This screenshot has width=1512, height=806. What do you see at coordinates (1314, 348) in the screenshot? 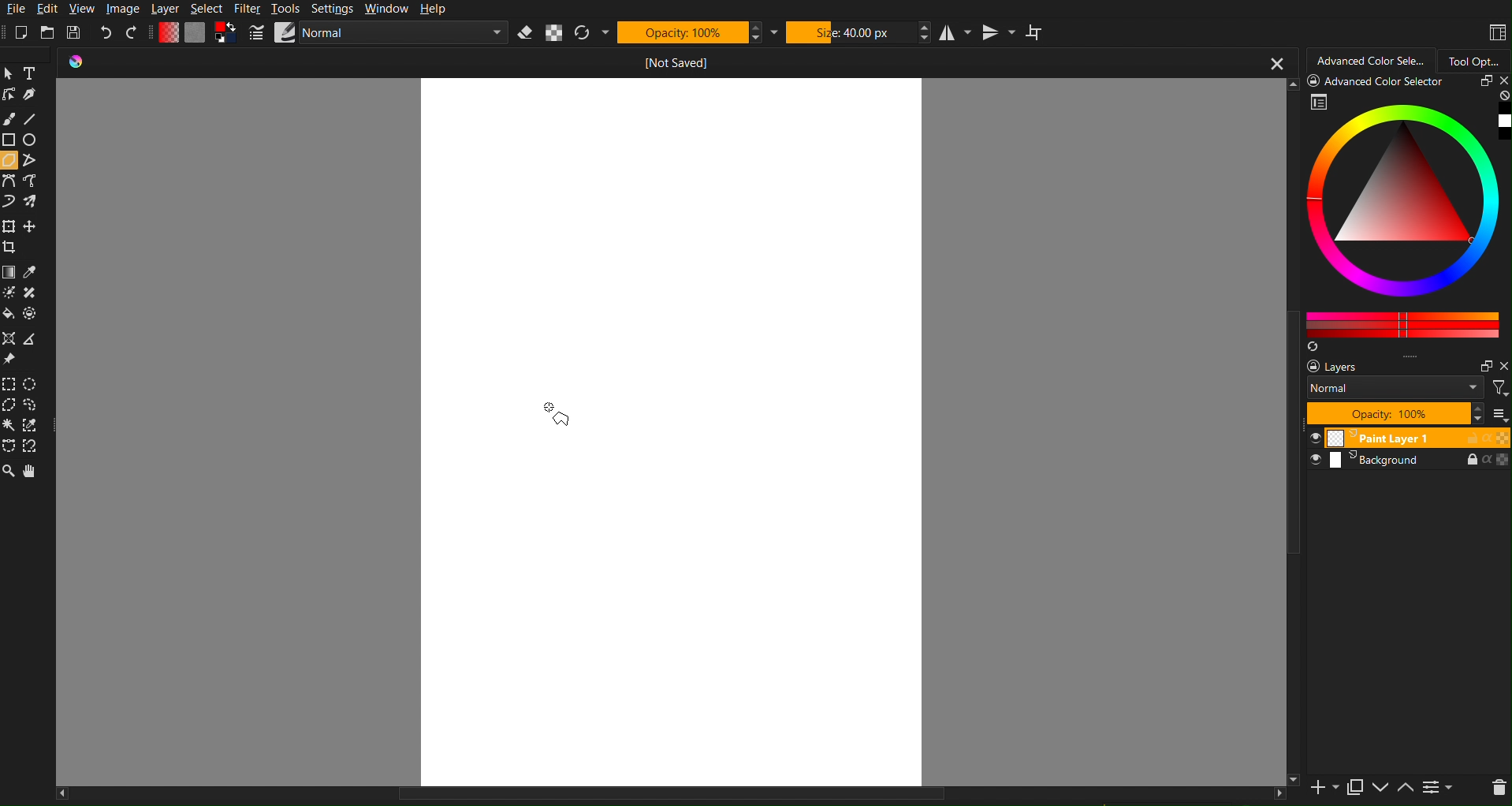
I see `create a list of colors from the image` at bounding box center [1314, 348].